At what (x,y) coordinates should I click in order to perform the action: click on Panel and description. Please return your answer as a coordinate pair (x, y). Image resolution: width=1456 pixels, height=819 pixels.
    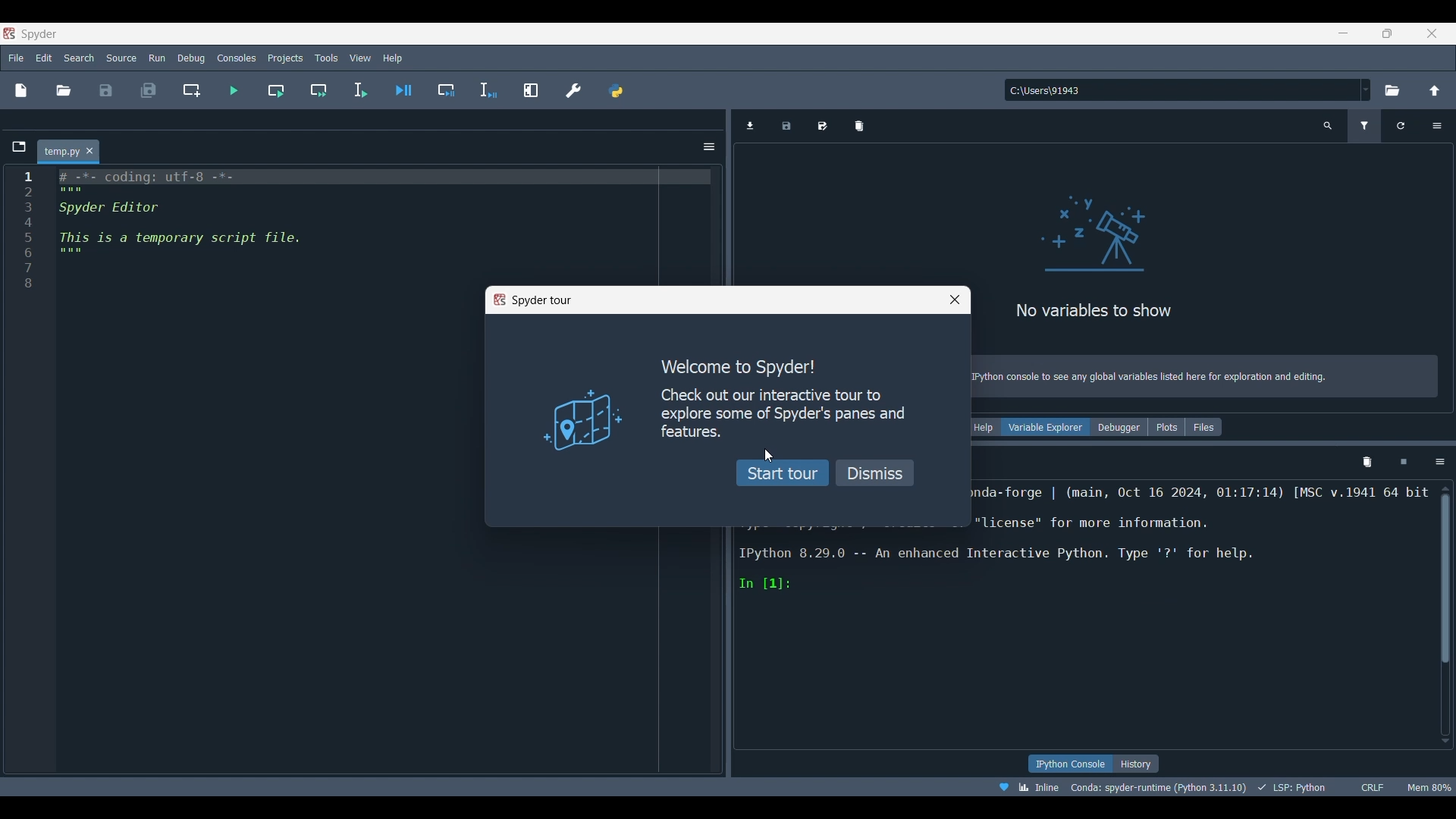
    Looking at the image, I should click on (1195, 502).